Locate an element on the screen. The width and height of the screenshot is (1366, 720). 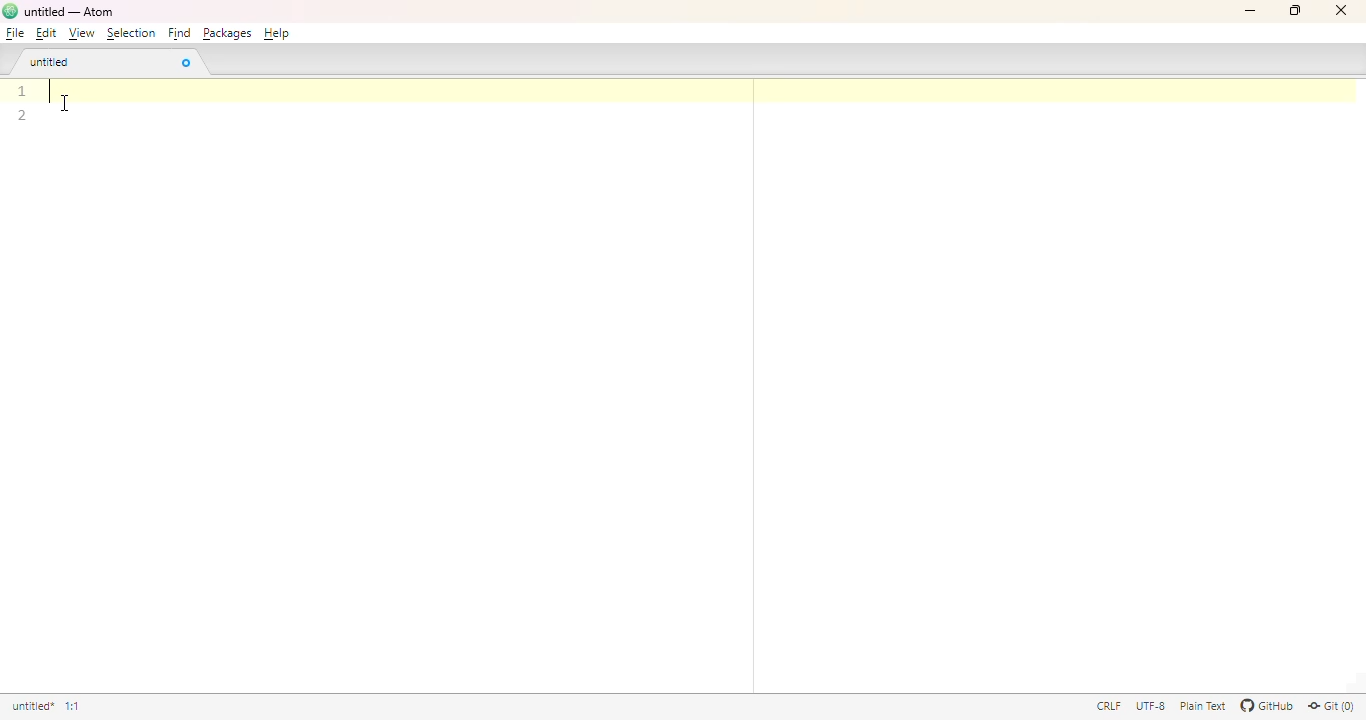
title is located at coordinates (70, 12).